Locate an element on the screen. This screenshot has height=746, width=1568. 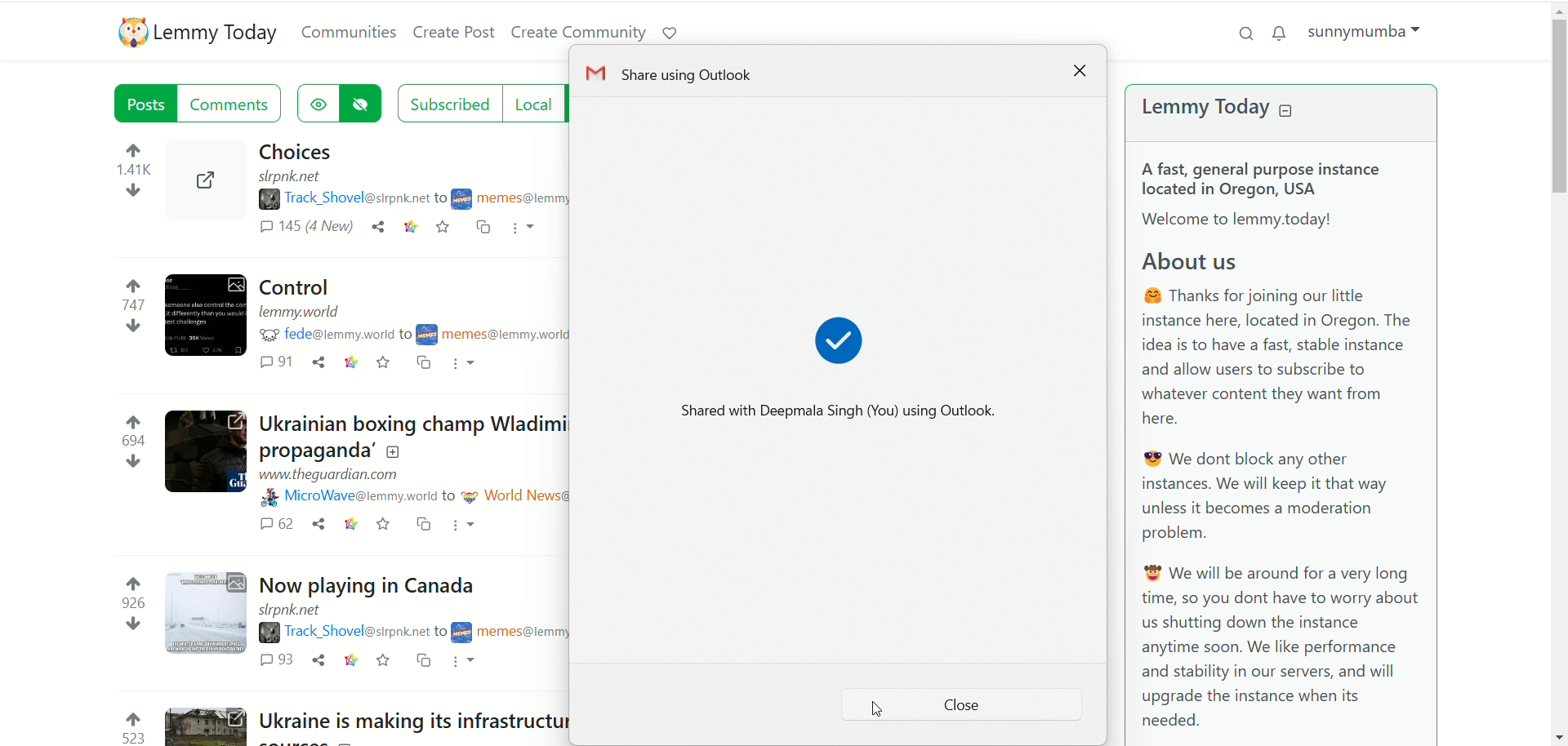
votes up and down is located at coordinates (127, 303).